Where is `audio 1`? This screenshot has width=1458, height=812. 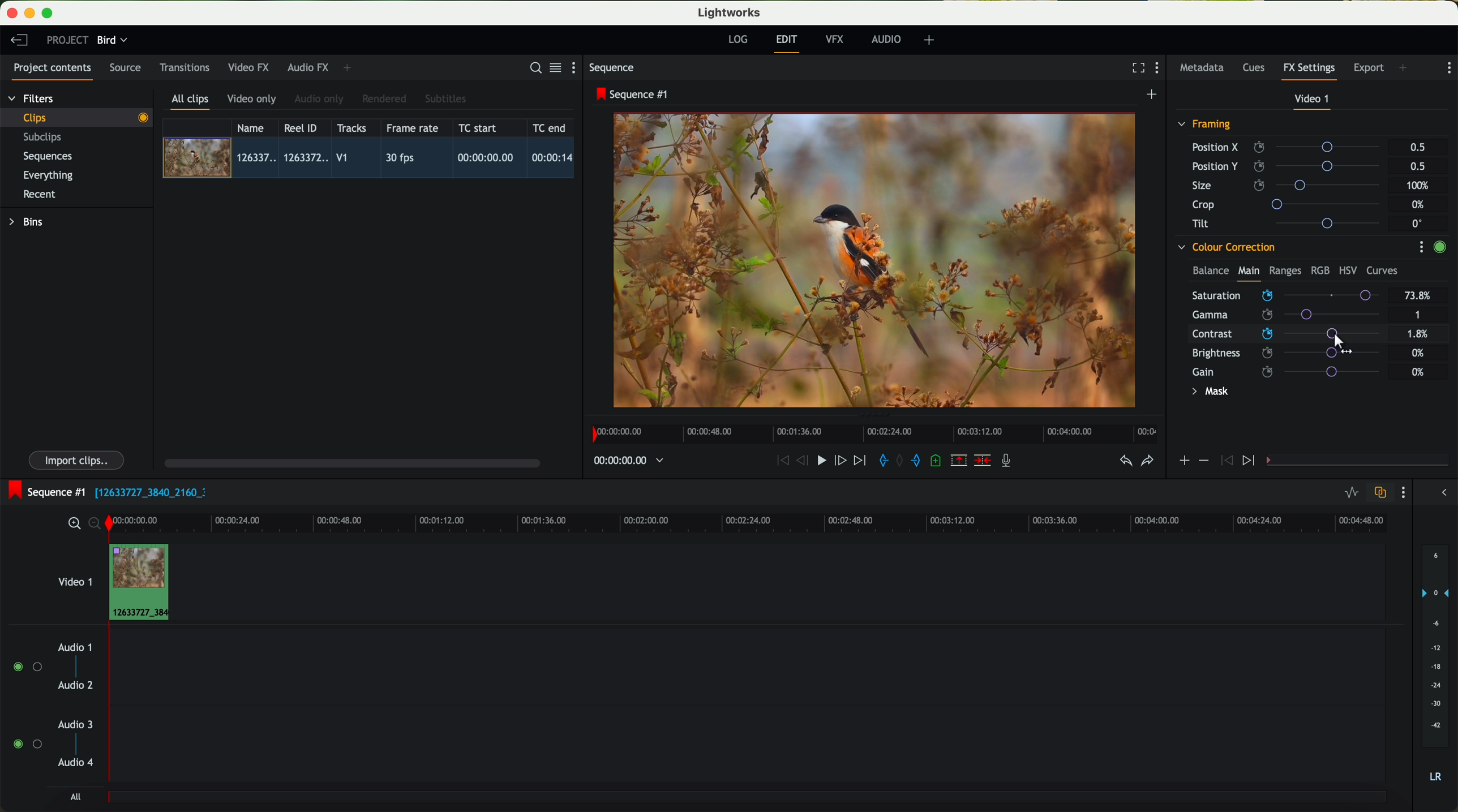
audio 1 is located at coordinates (75, 647).